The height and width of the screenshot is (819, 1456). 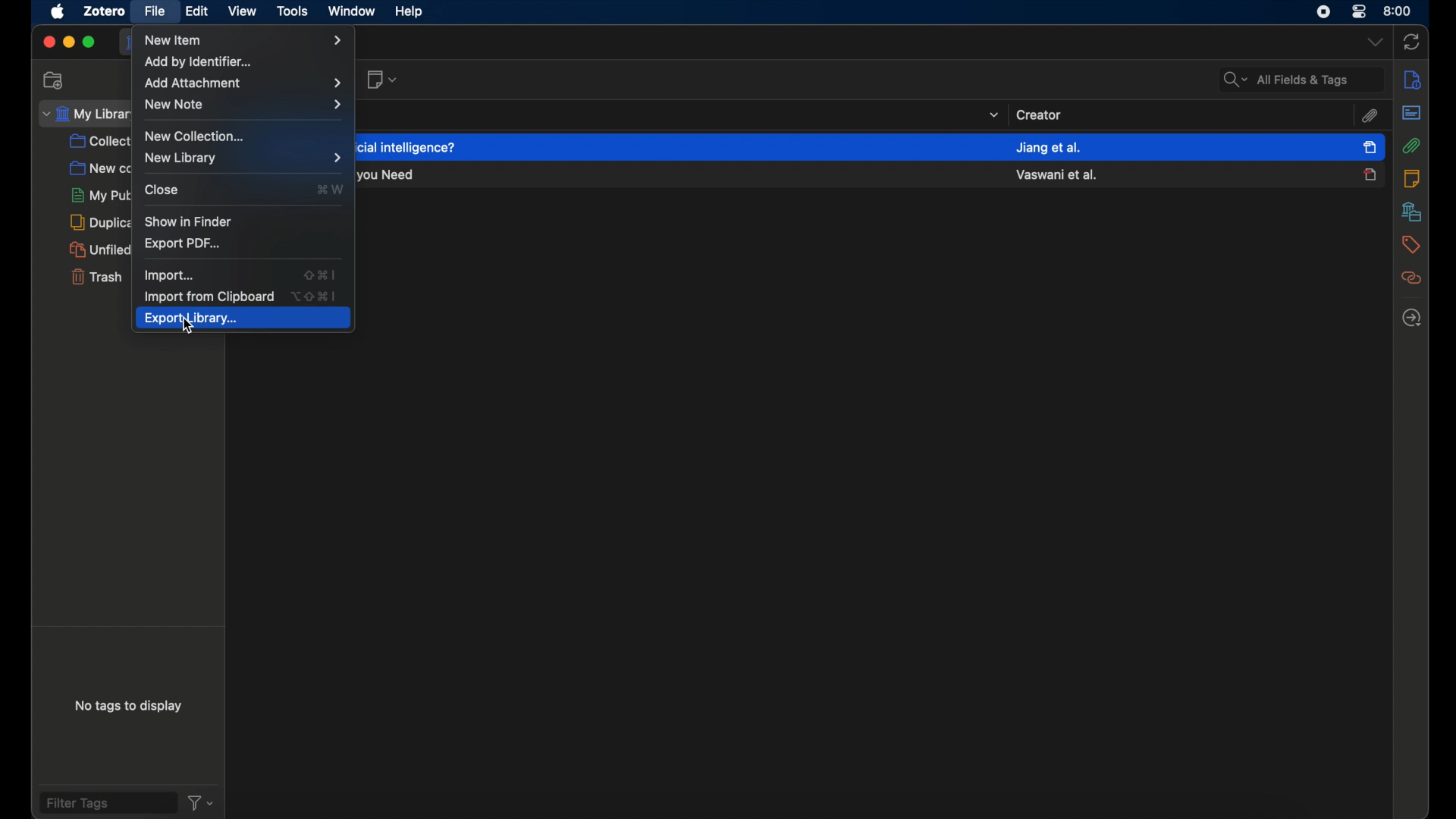 What do you see at coordinates (195, 136) in the screenshot?
I see `new collection` at bounding box center [195, 136].